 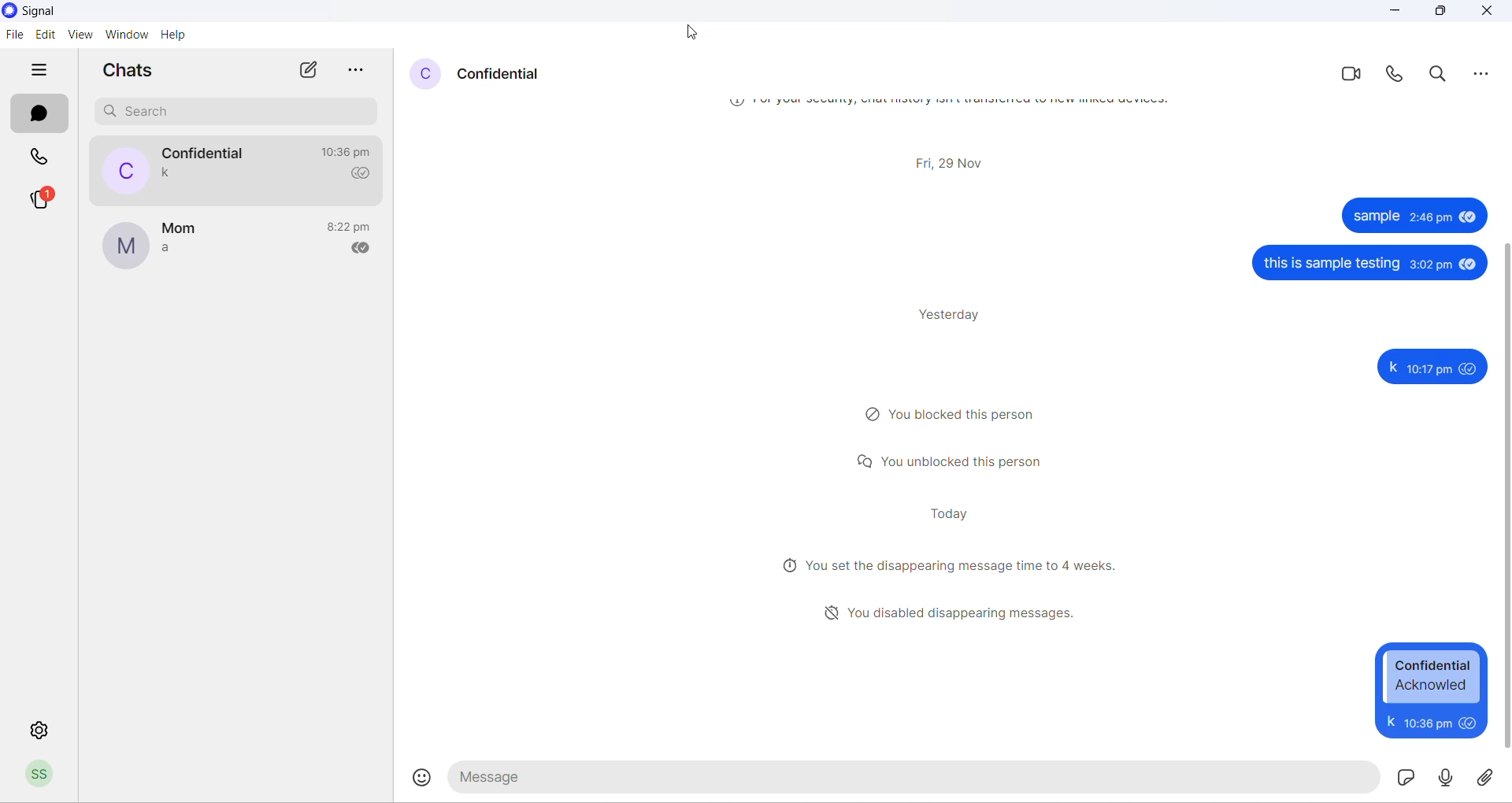 What do you see at coordinates (1393, 75) in the screenshot?
I see `voice call` at bounding box center [1393, 75].